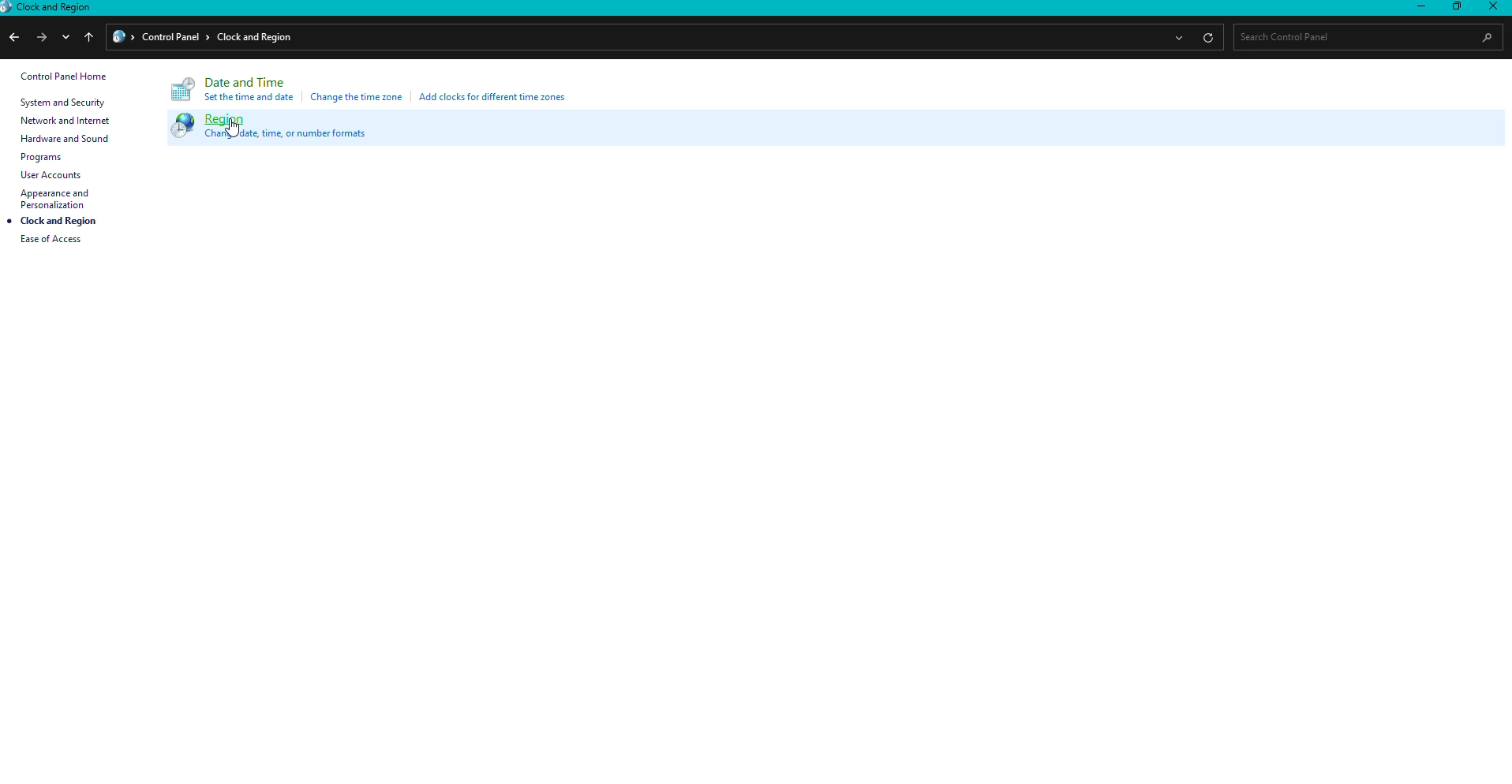 This screenshot has height=784, width=1512. I want to click on Programs, so click(43, 158).